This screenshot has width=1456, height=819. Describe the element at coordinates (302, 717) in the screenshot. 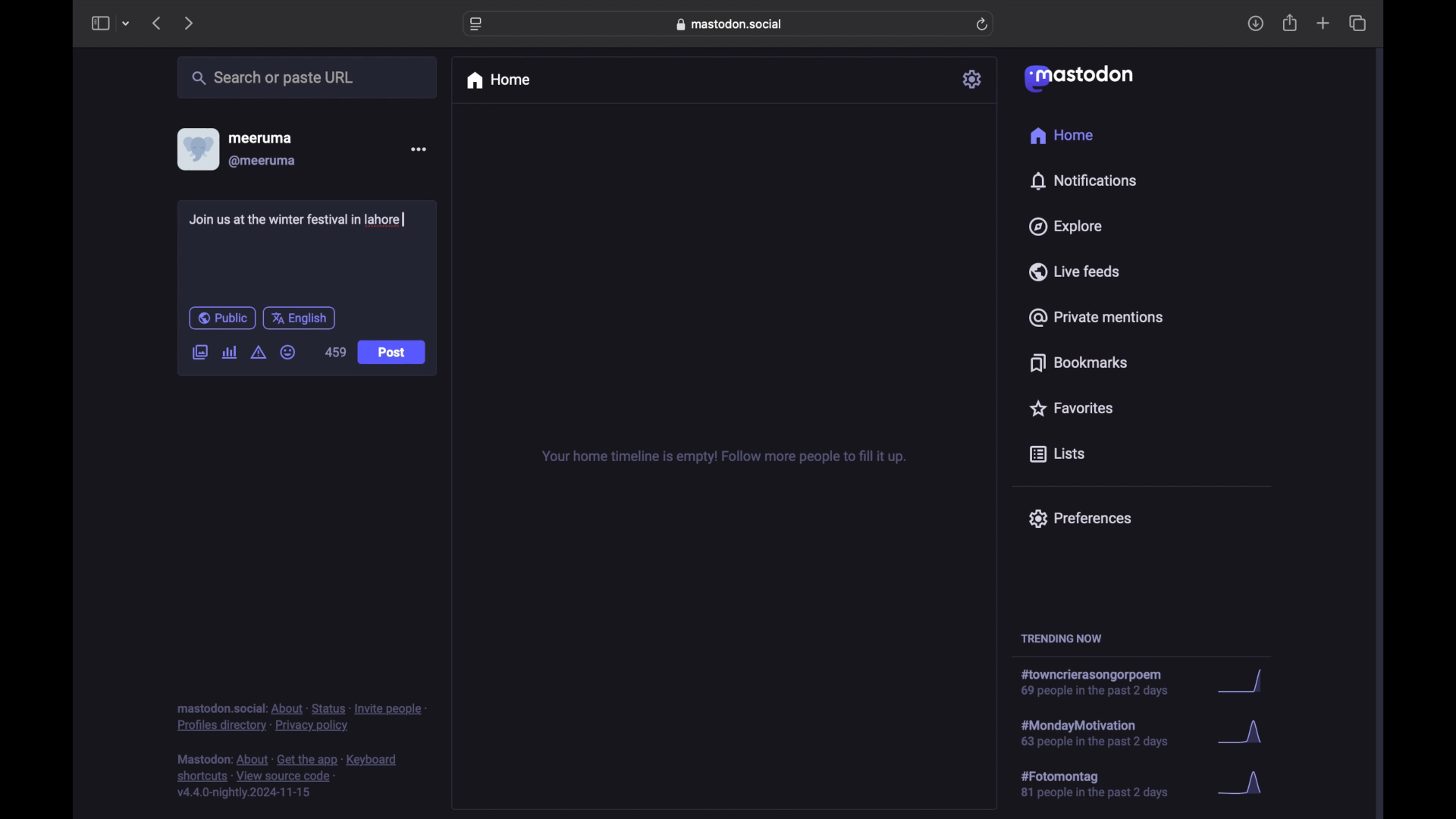

I see `footnote` at that location.